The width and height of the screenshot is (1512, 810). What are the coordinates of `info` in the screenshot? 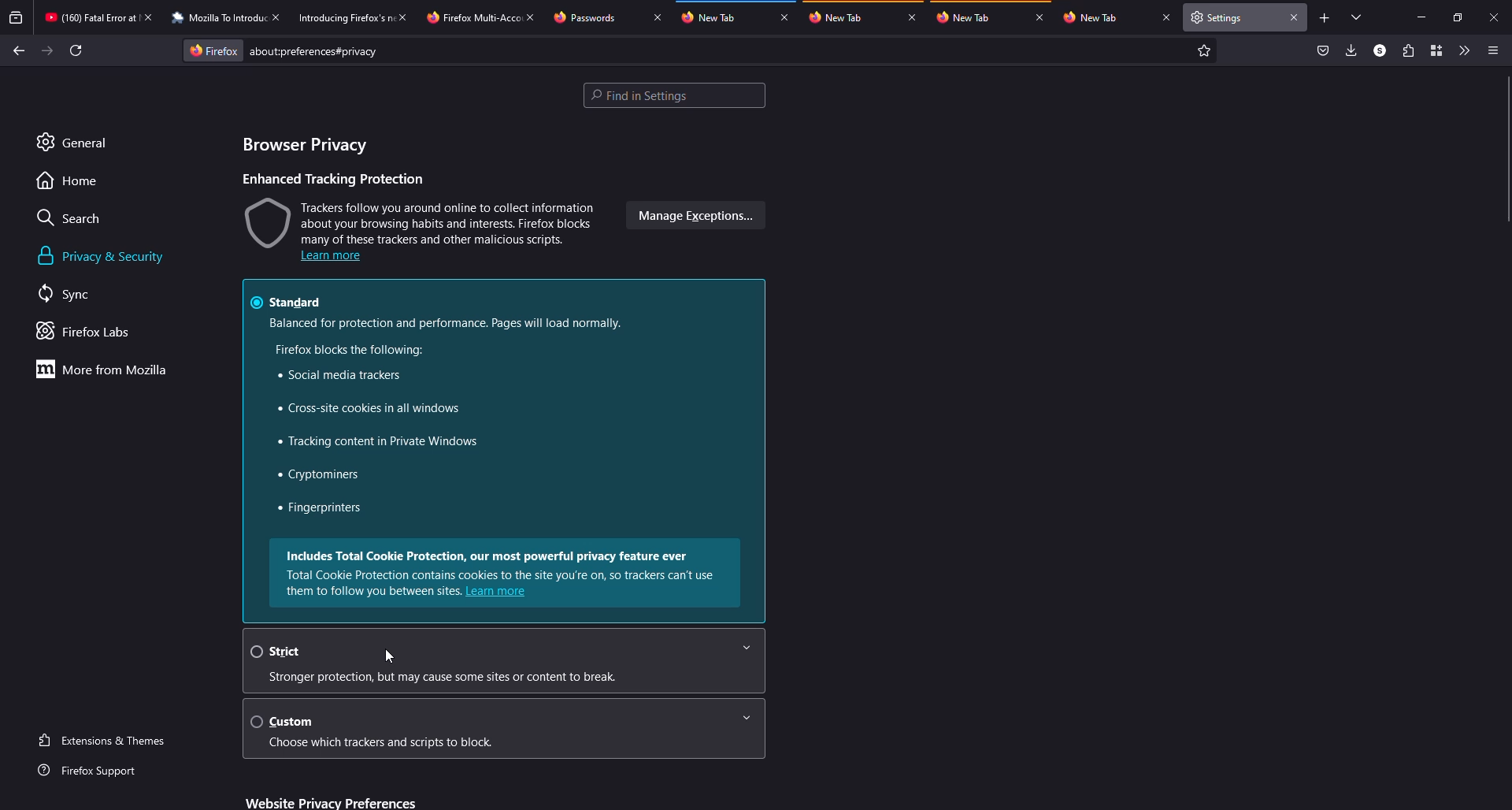 It's located at (383, 743).